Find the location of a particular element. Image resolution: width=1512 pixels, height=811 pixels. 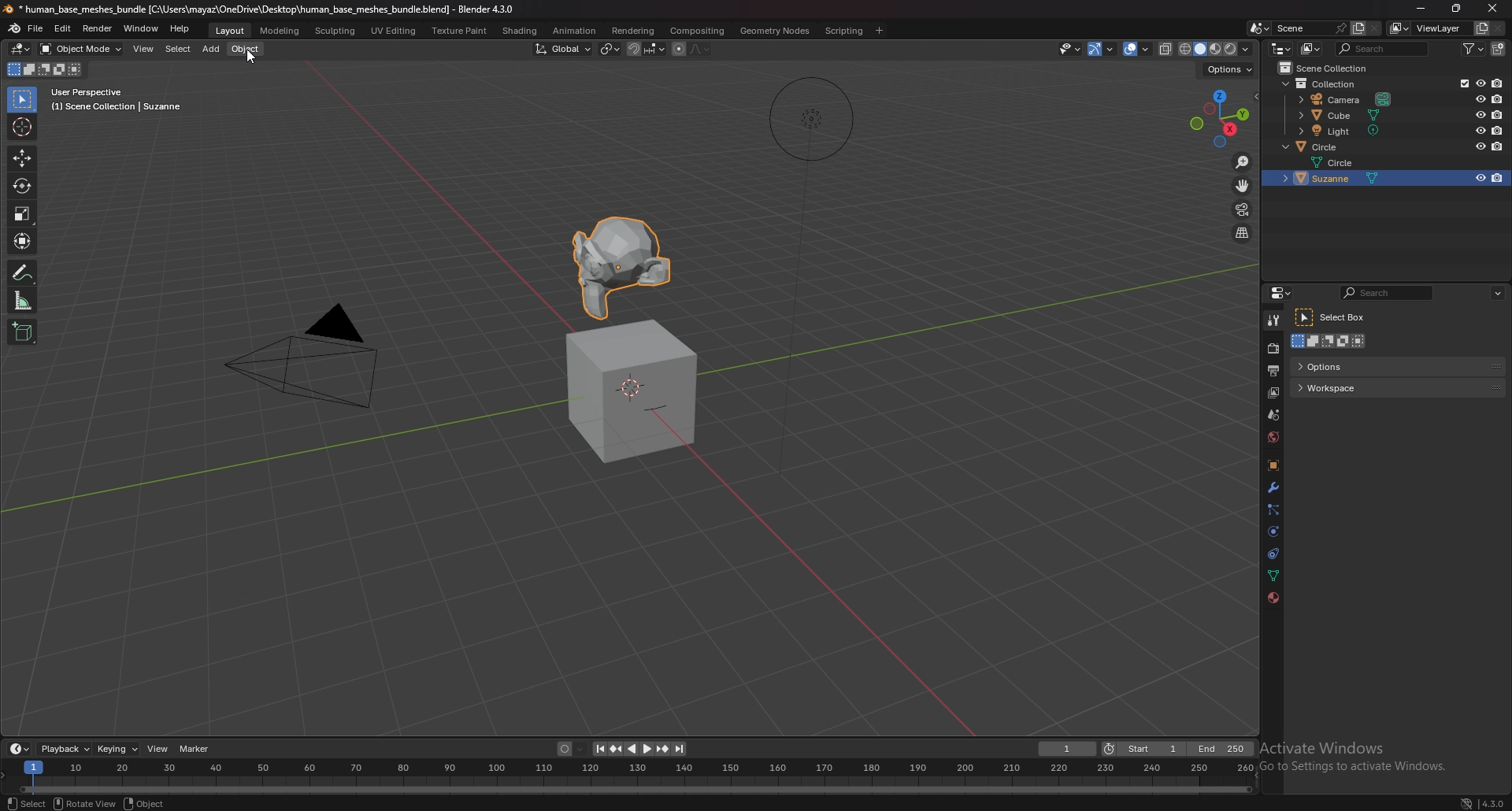

view layer is located at coordinates (1429, 28).